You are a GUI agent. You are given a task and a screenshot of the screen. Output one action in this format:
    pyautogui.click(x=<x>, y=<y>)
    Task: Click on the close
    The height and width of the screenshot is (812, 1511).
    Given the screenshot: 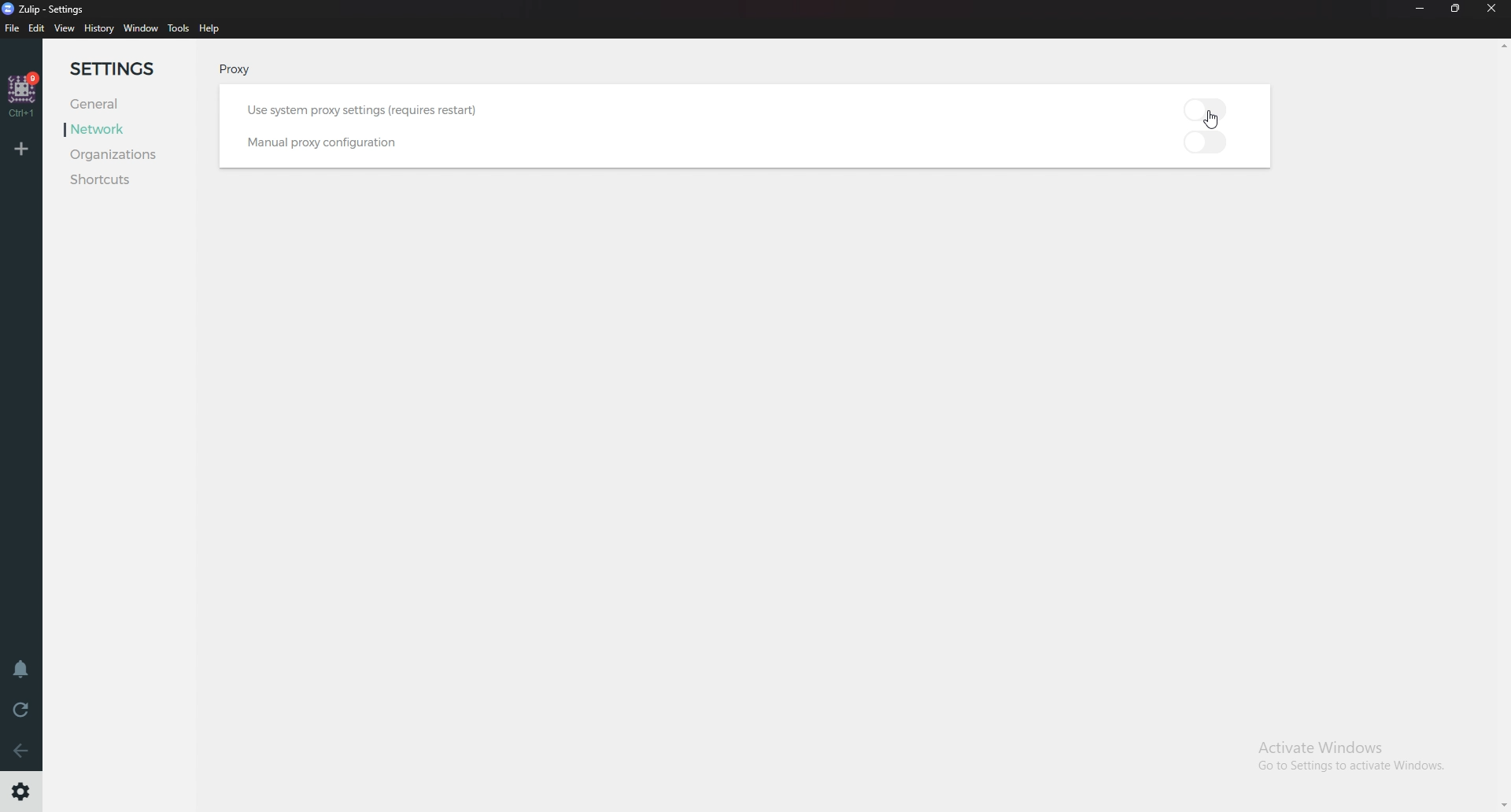 What is the action you would take?
    pyautogui.click(x=1492, y=9)
    